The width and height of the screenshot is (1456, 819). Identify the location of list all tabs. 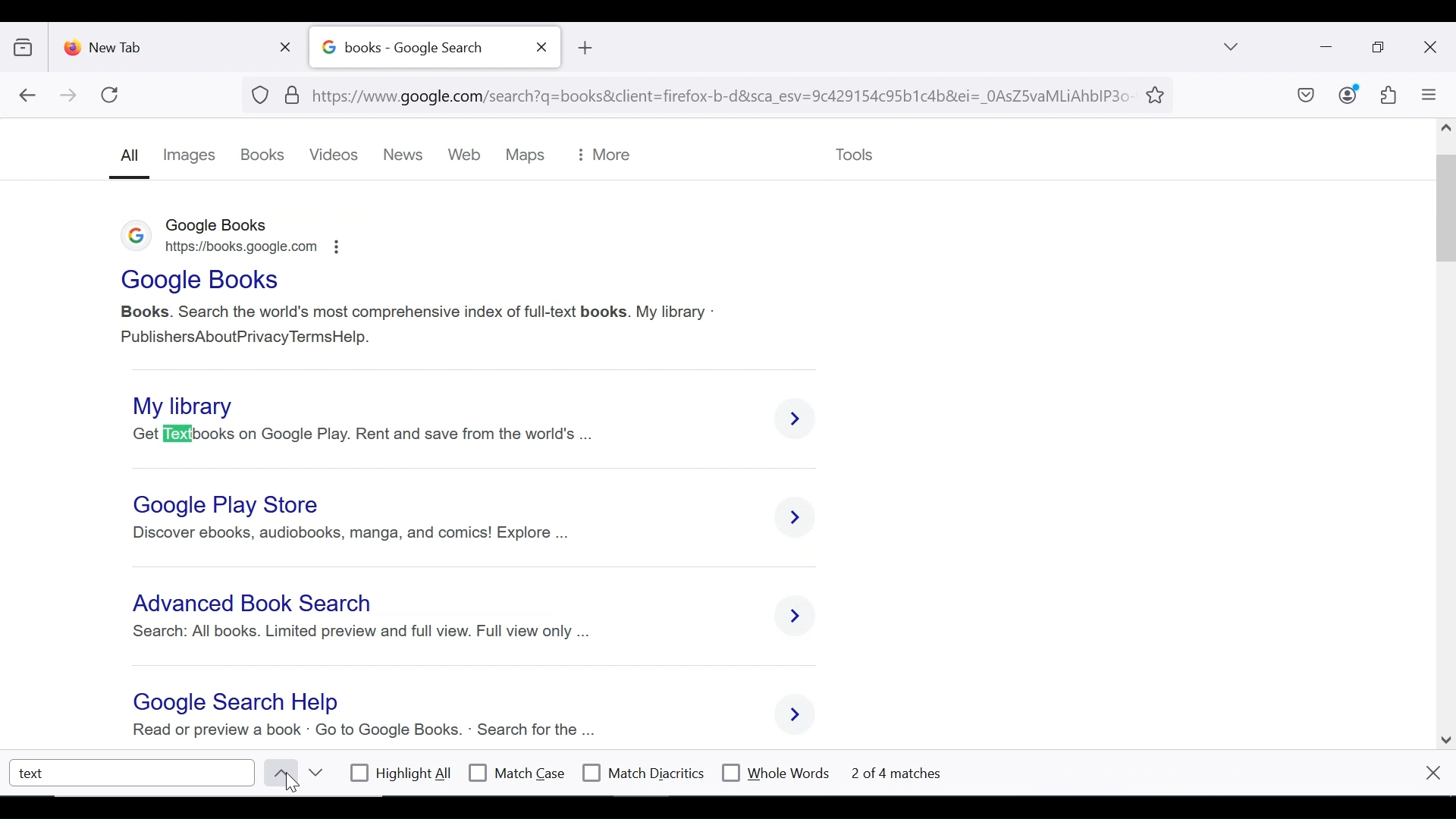
(1232, 46).